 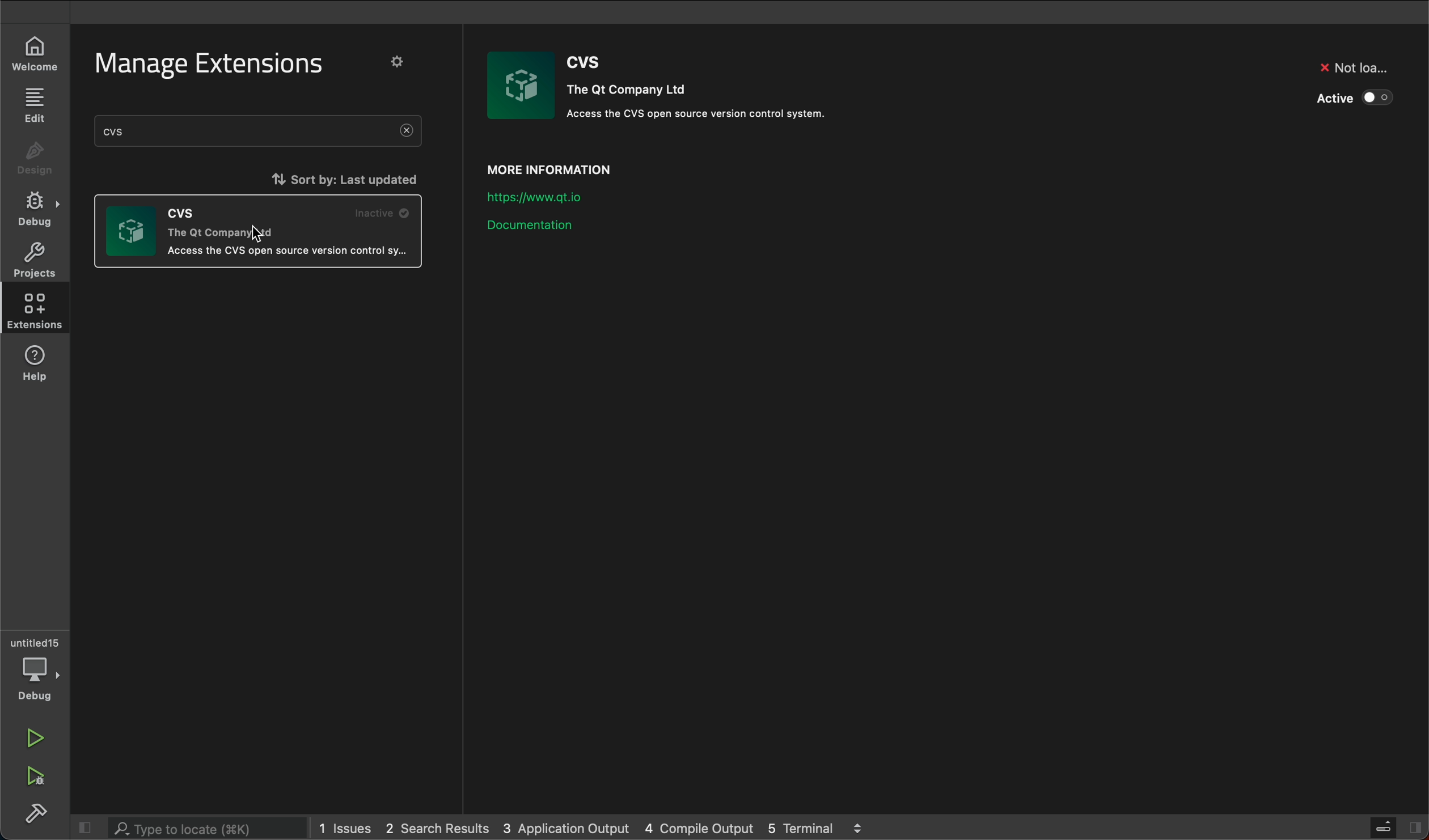 What do you see at coordinates (32, 258) in the screenshot?
I see `projects` at bounding box center [32, 258].